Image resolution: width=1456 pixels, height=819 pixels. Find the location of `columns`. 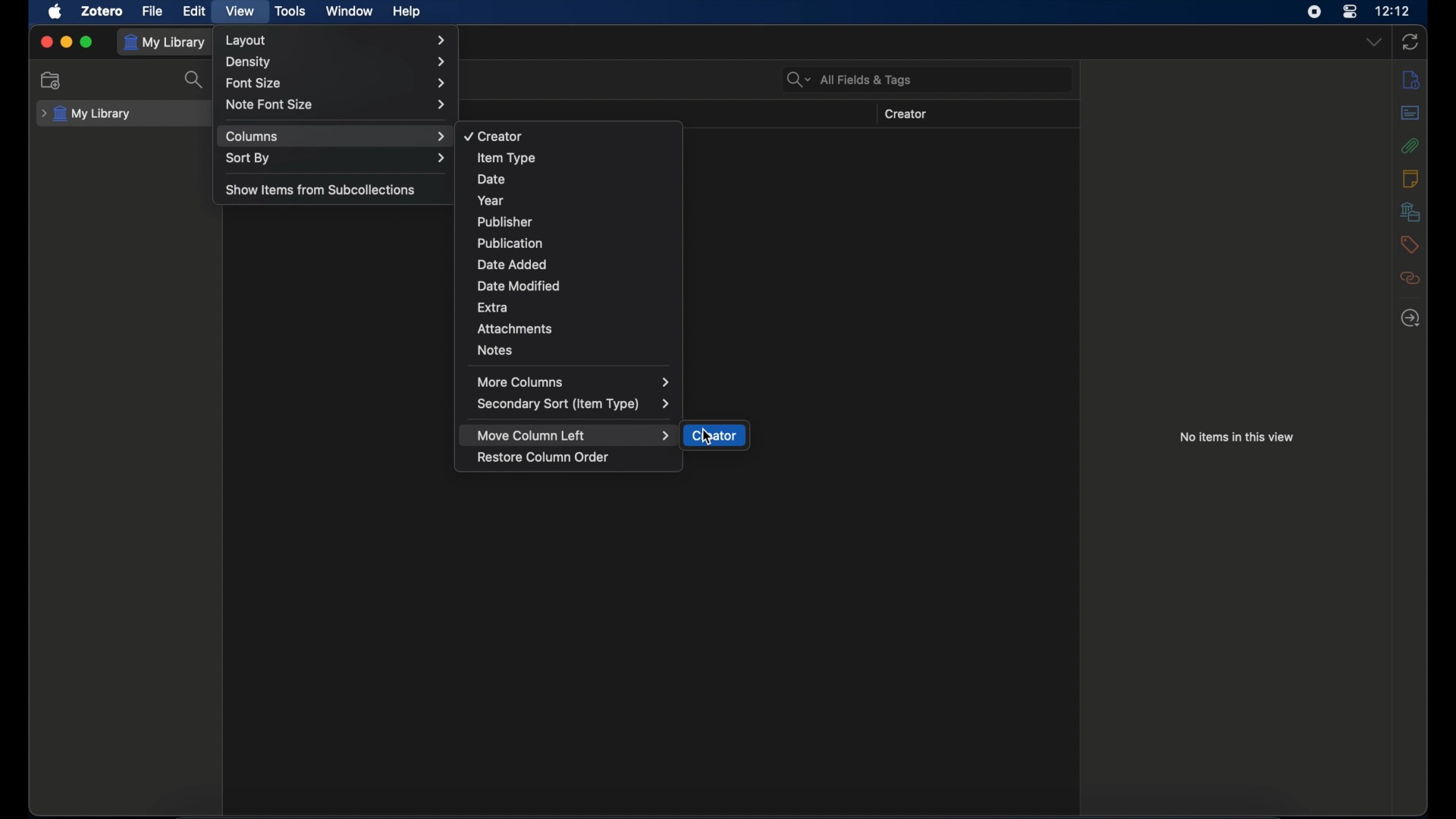

columns is located at coordinates (336, 136).